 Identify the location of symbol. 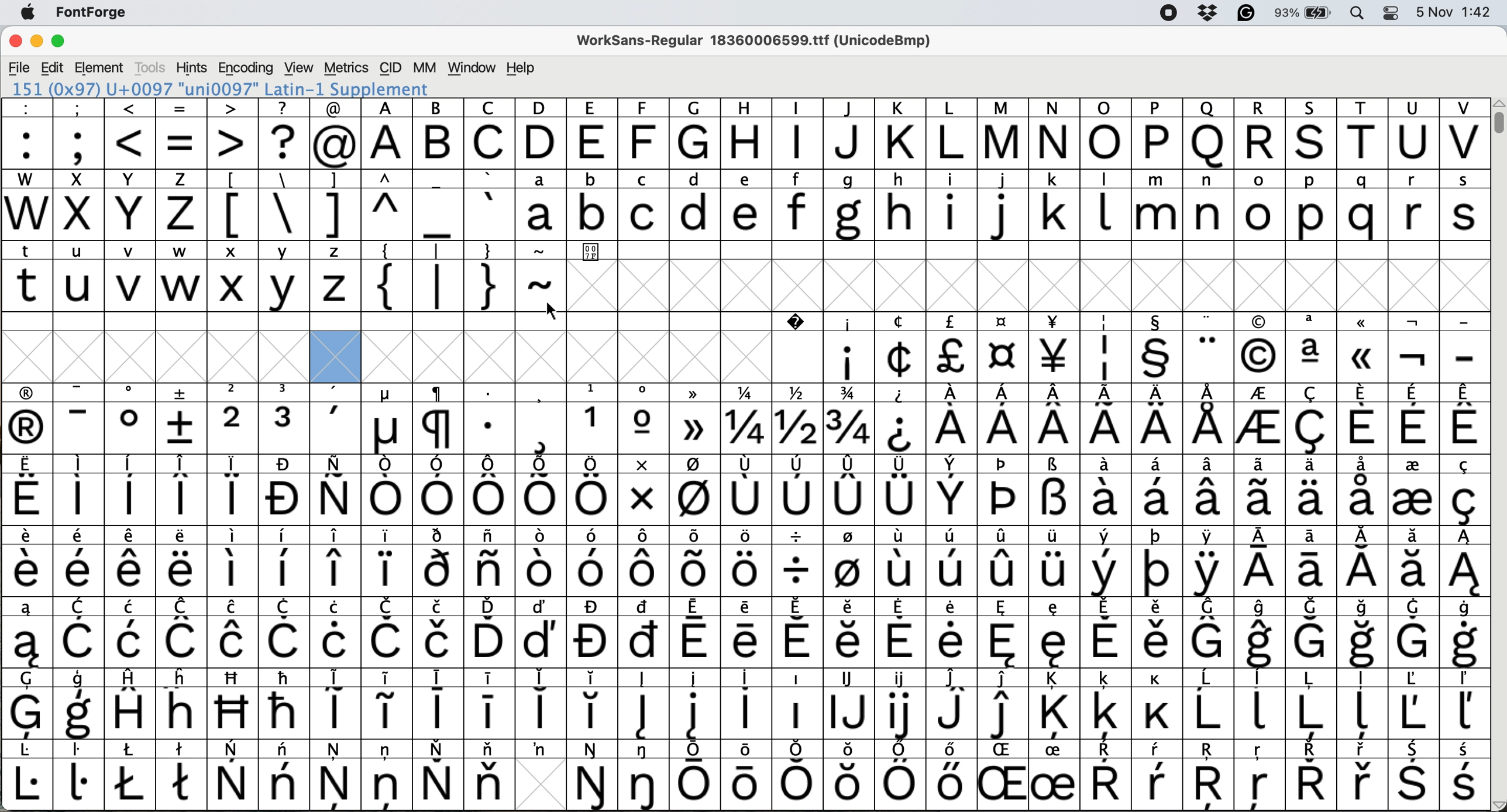
(901, 490).